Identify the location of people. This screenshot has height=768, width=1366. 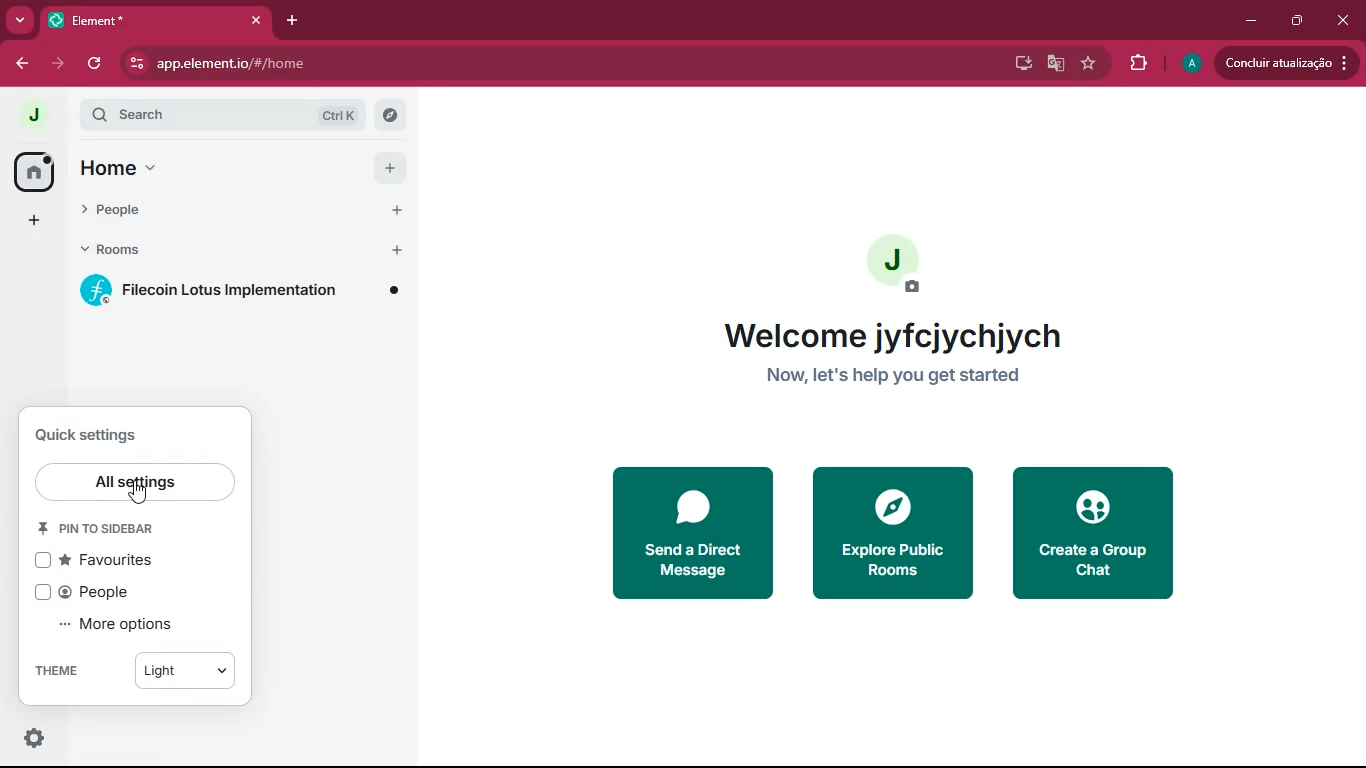
(134, 210).